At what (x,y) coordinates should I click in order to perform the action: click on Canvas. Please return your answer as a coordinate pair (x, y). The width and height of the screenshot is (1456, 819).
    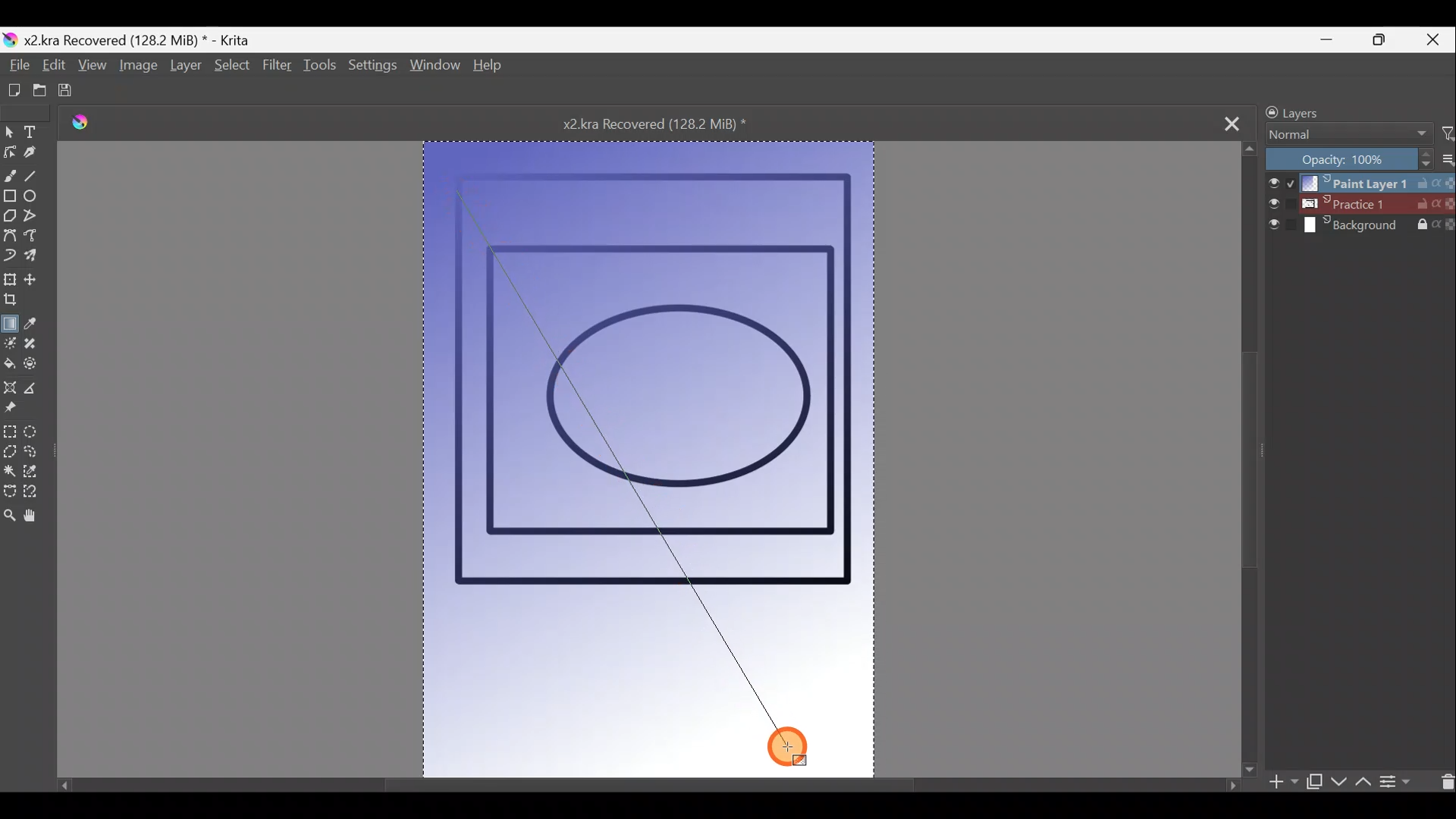
    Looking at the image, I should click on (649, 453).